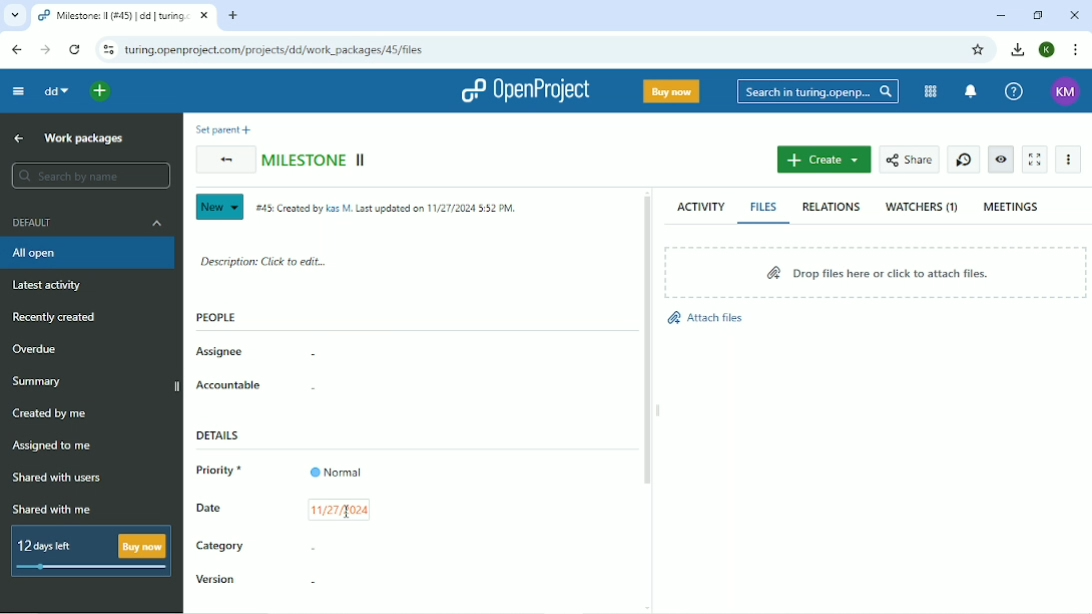  I want to click on Latest activity, so click(53, 285).